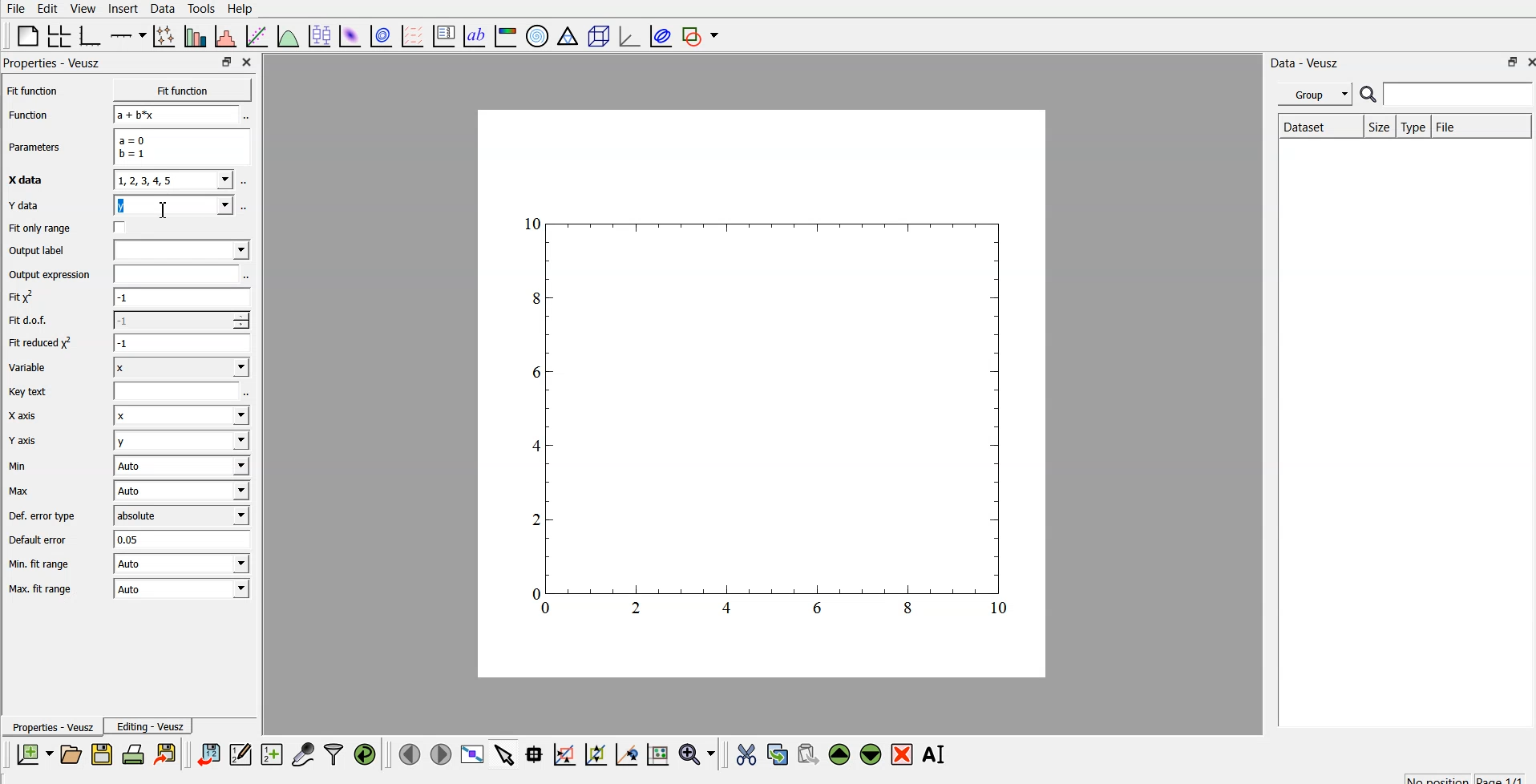  I want to click on histogram of a dataset, so click(224, 36).